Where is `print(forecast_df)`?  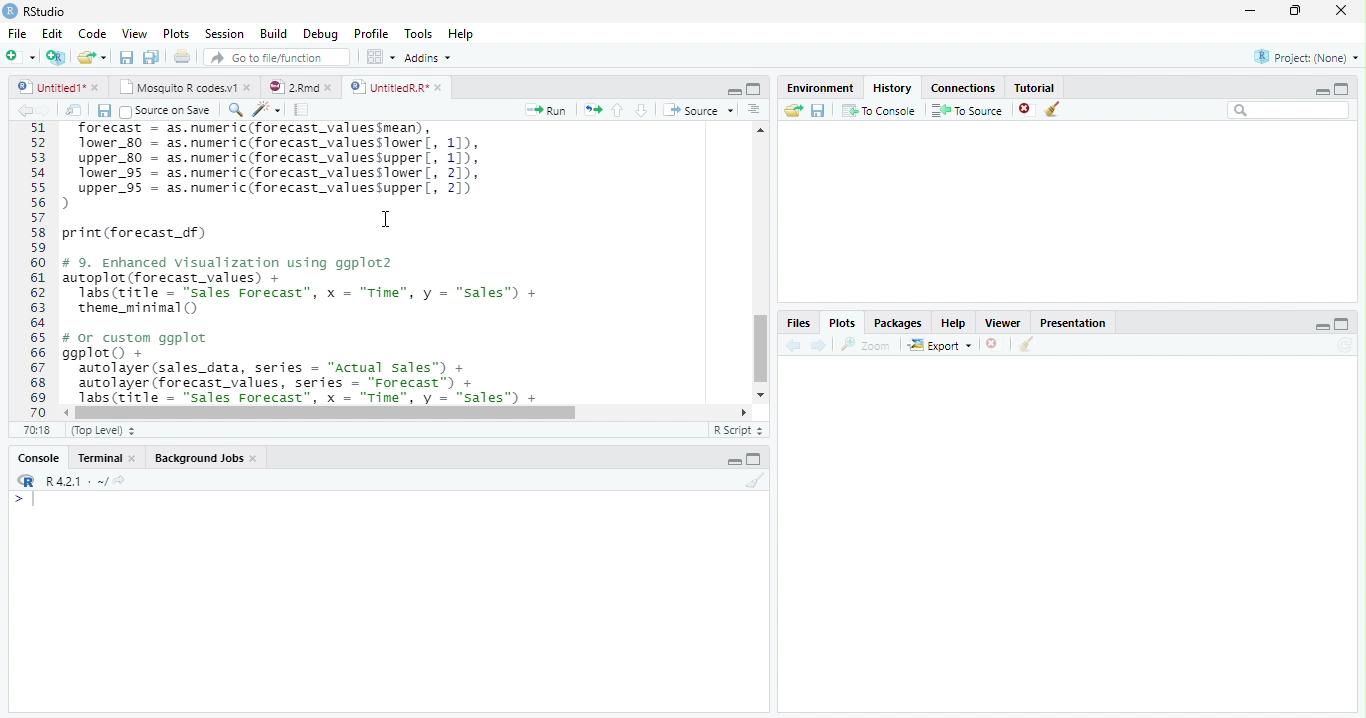 print(forecast_df) is located at coordinates (142, 233).